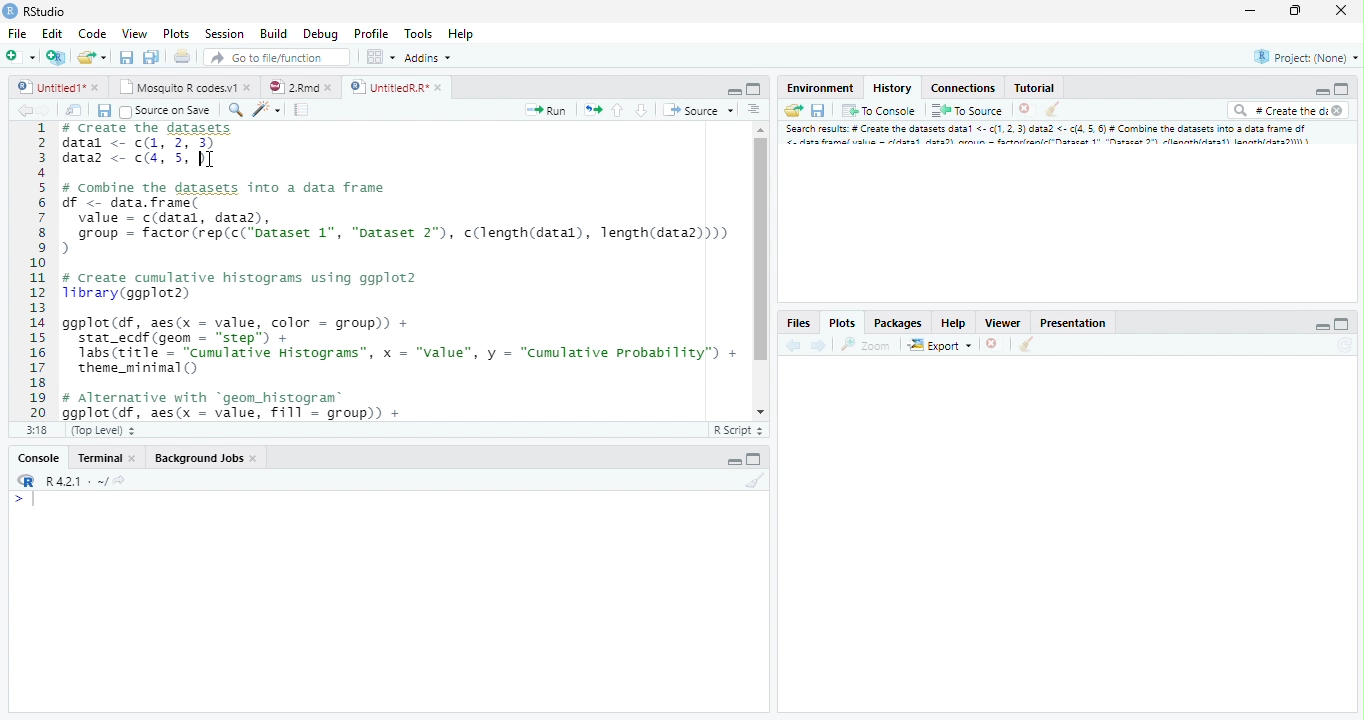 The height and width of the screenshot is (720, 1364). I want to click on 1:1, so click(41, 430).